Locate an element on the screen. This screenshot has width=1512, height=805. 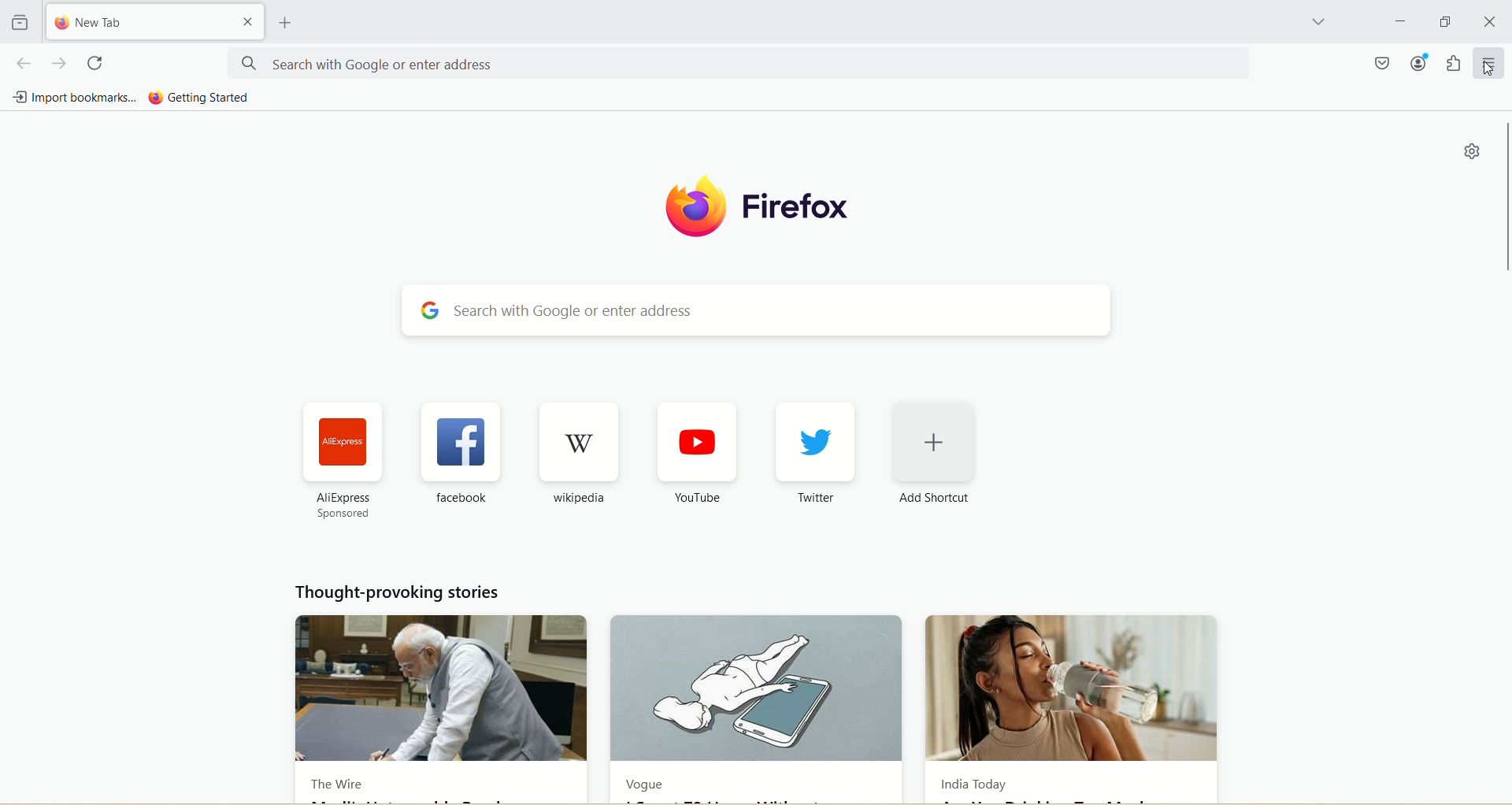
logo is located at coordinates (687, 208).